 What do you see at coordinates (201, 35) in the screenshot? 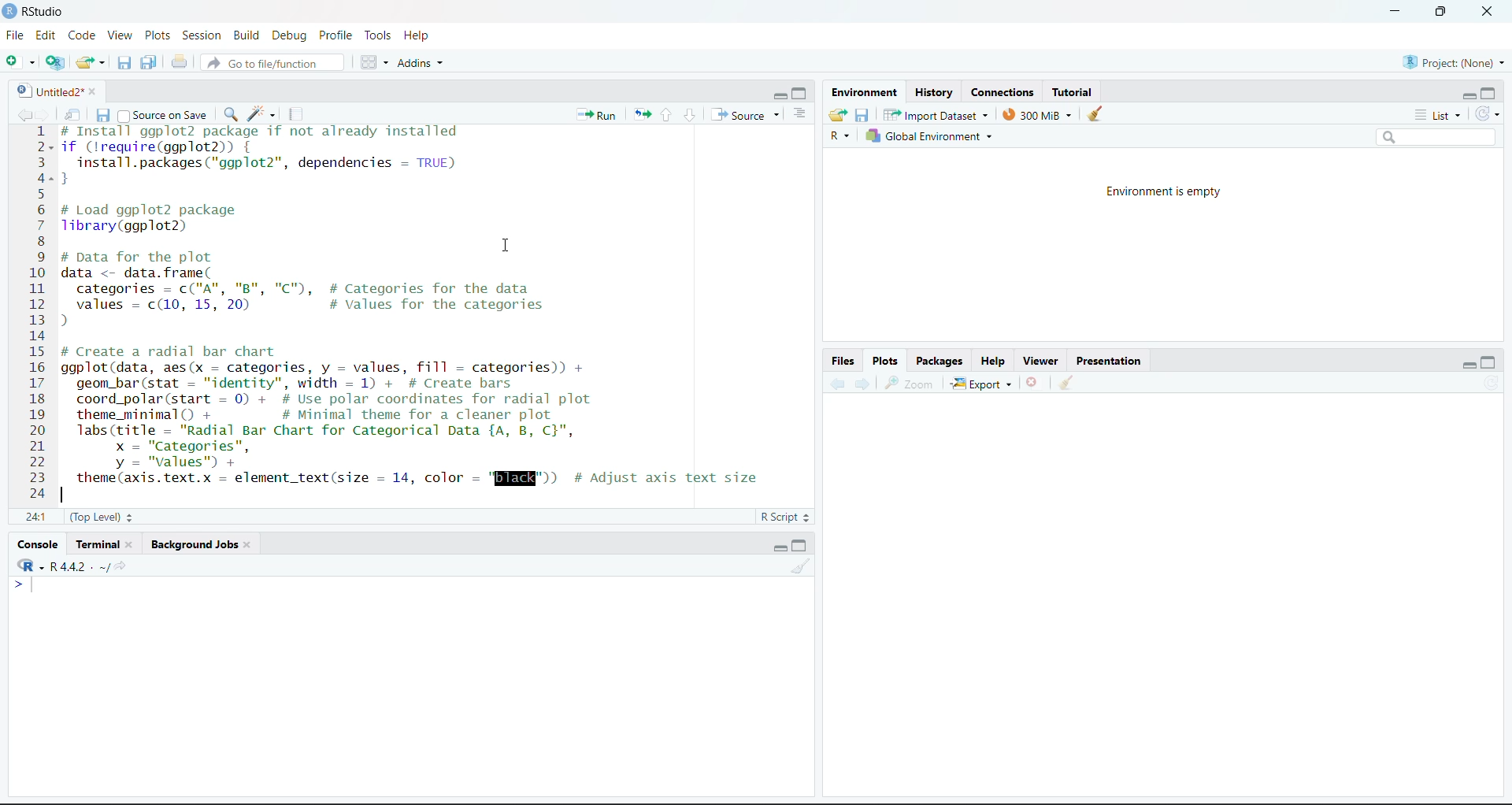
I see `Session` at bounding box center [201, 35].